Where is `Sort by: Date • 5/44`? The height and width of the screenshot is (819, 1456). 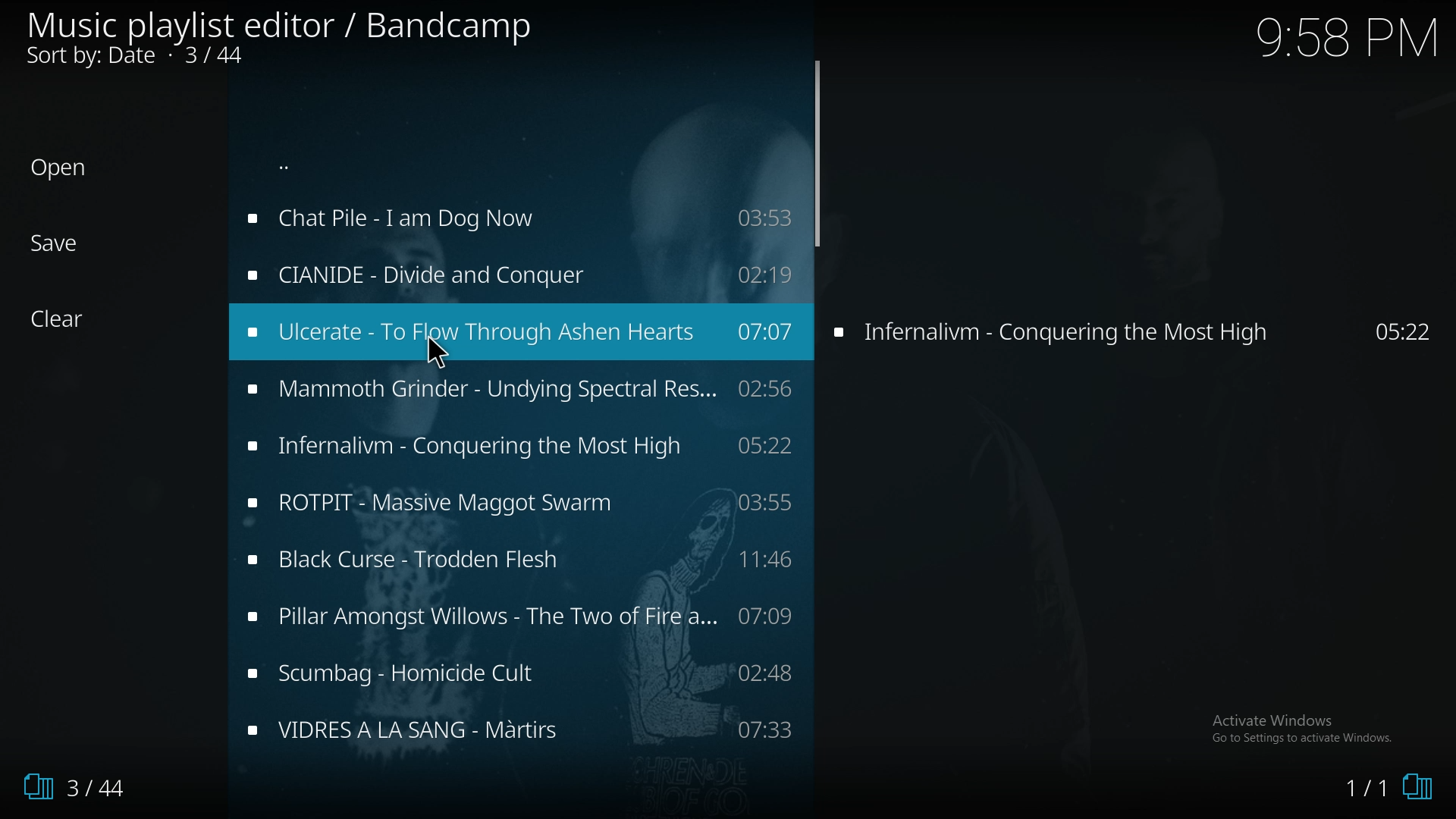
Sort by: Date • 5/44 is located at coordinates (161, 58).